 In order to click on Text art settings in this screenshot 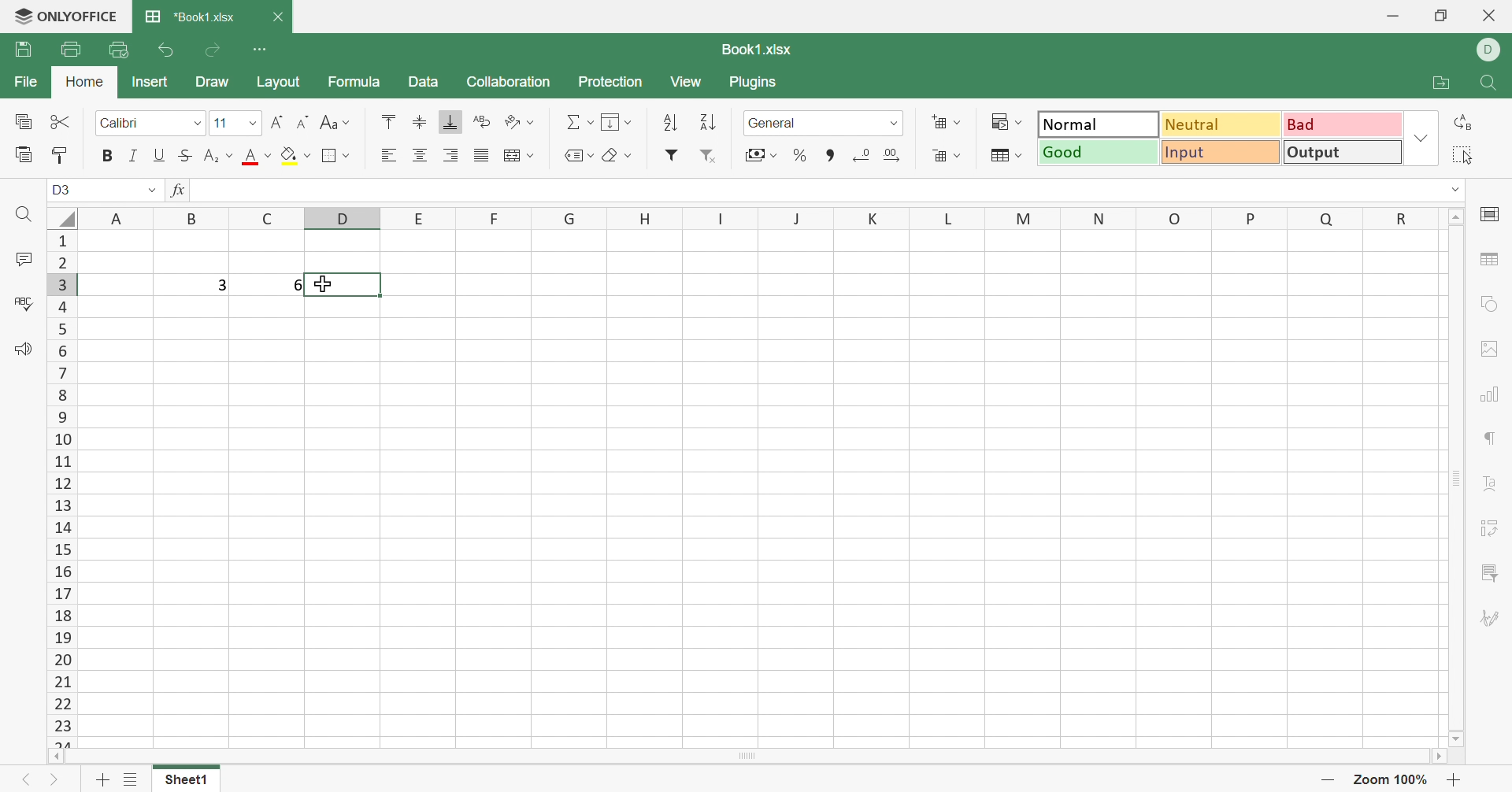, I will do `click(1492, 481)`.